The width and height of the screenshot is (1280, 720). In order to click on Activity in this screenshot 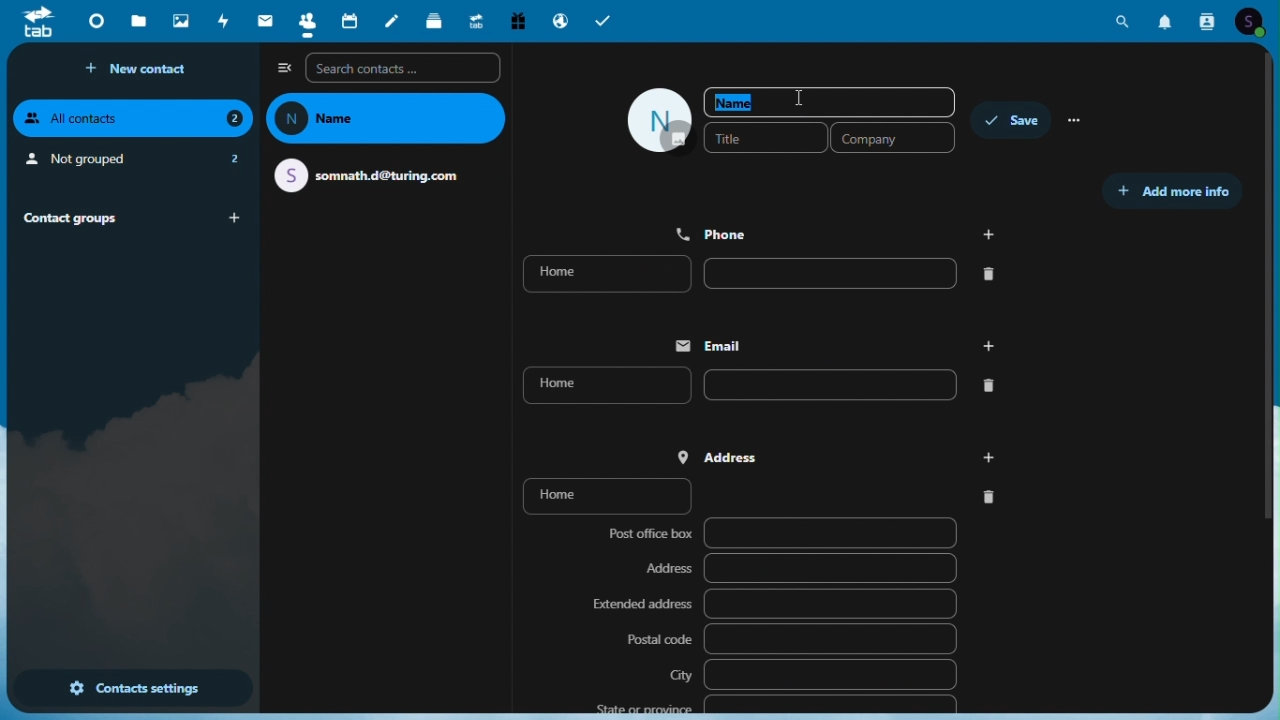, I will do `click(225, 21)`.